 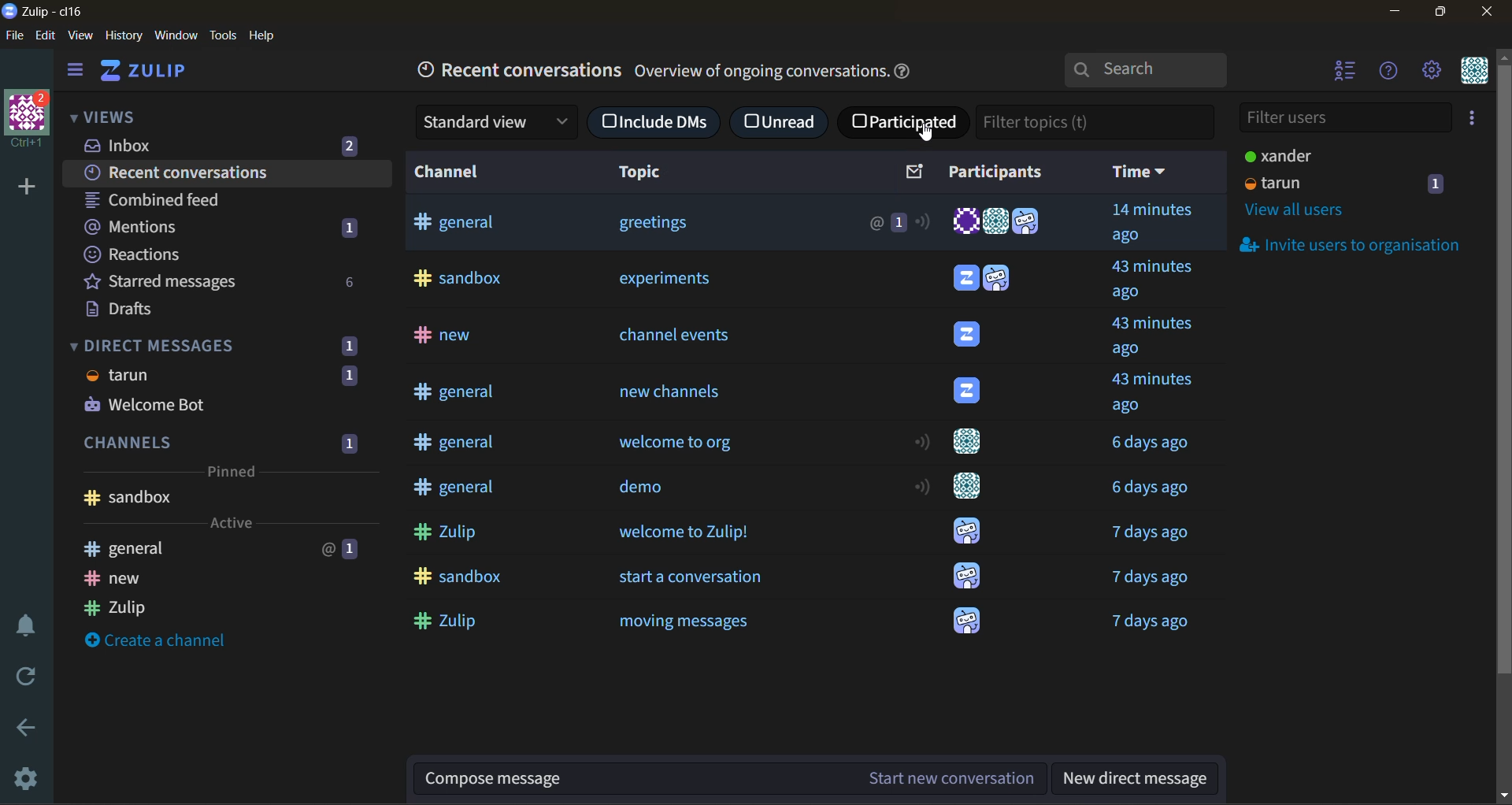 I want to click on channels, so click(x=221, y=438).